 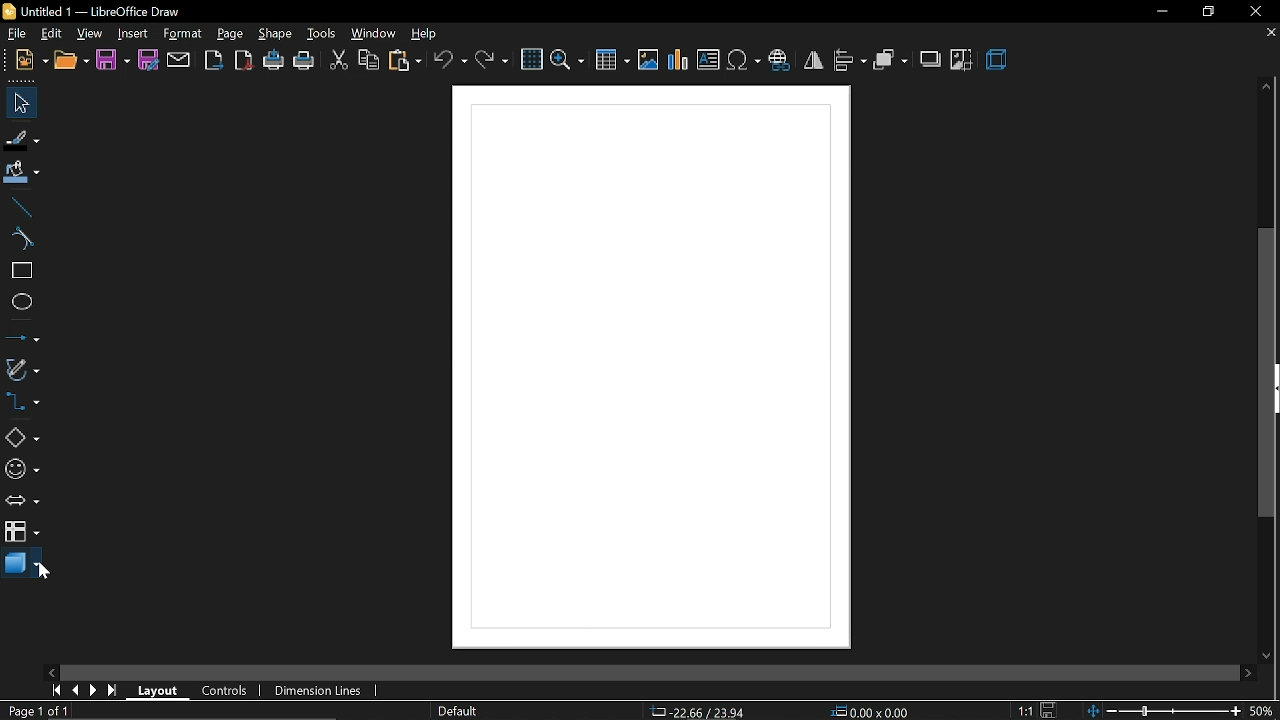 What do you see at coordinates (405, 61) in the screenshot?
I see `paste` at bounding box center [405, 61].